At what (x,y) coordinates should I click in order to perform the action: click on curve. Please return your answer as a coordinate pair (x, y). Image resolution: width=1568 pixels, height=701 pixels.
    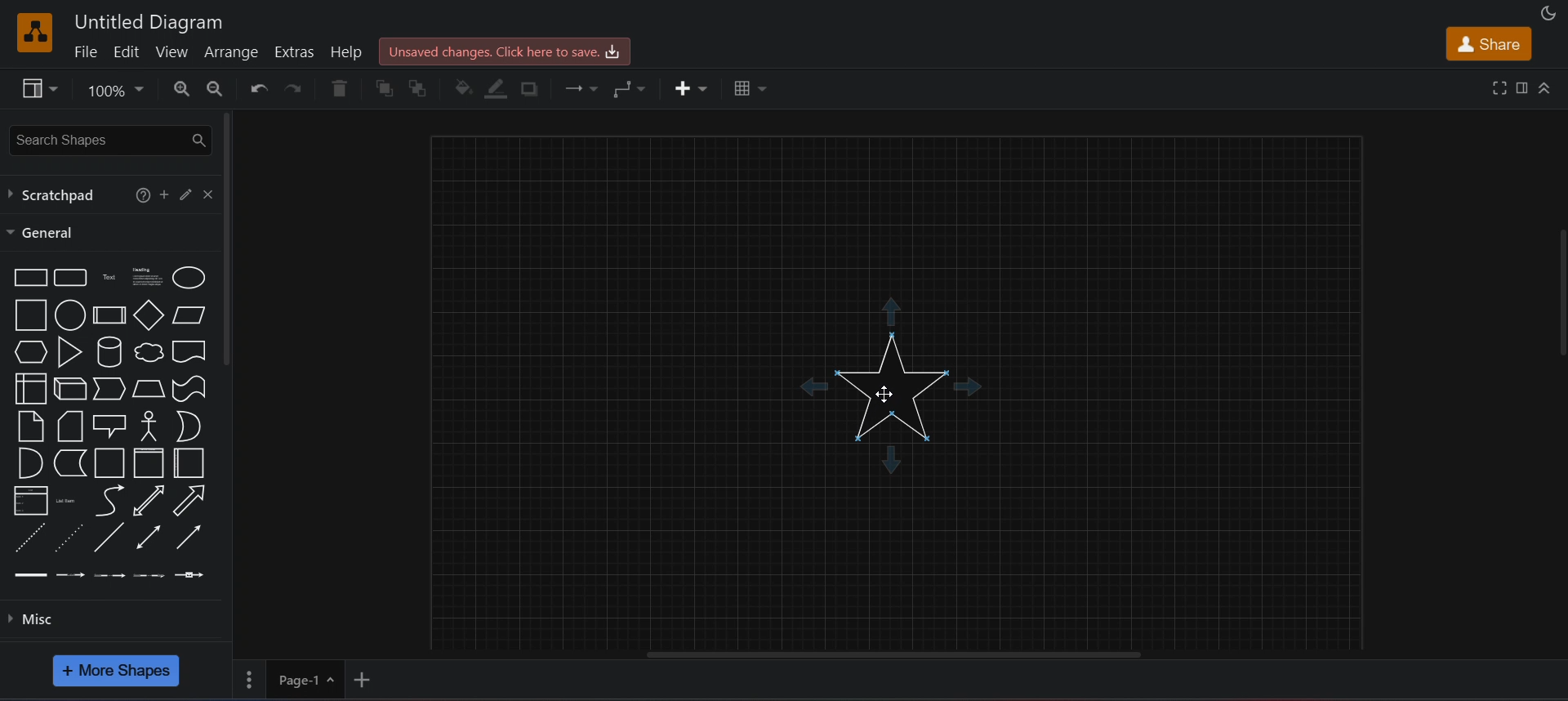
    Looking at the image, I should click on (109, 500).